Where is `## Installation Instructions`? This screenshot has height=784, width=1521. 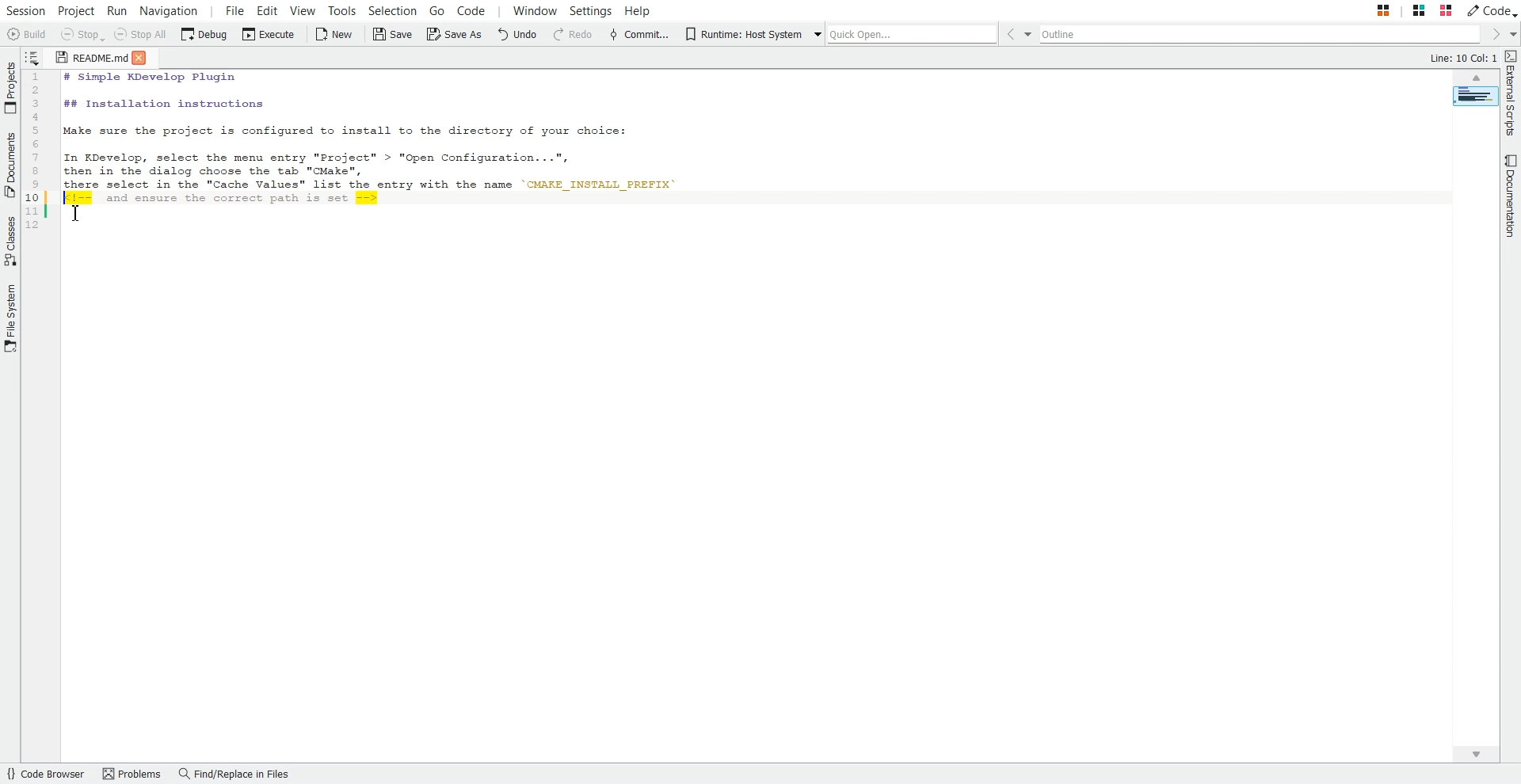 ## Installation Instructions is located at coordinates (162, 105).